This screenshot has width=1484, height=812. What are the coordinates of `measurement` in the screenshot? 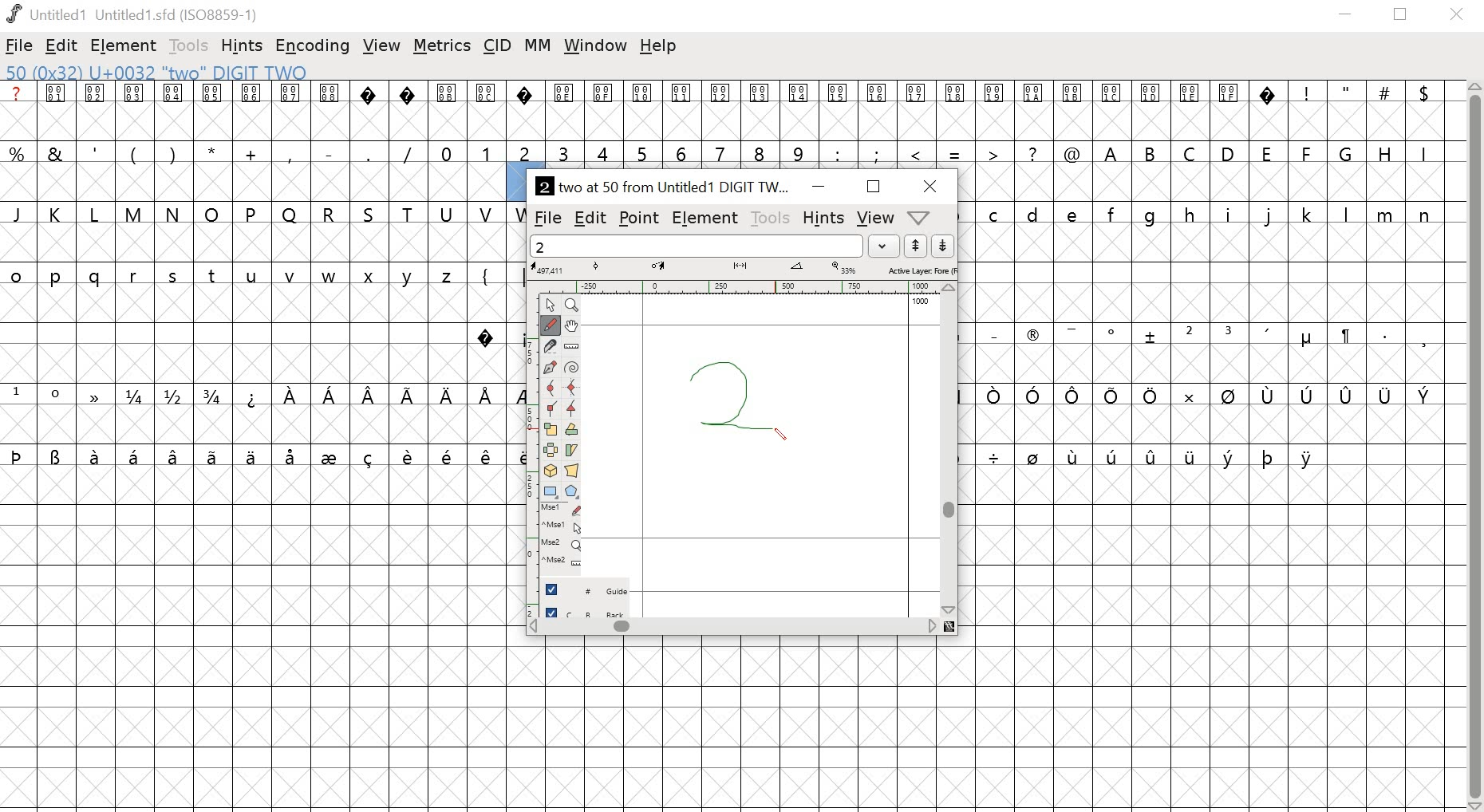 It's located at (741, 269).